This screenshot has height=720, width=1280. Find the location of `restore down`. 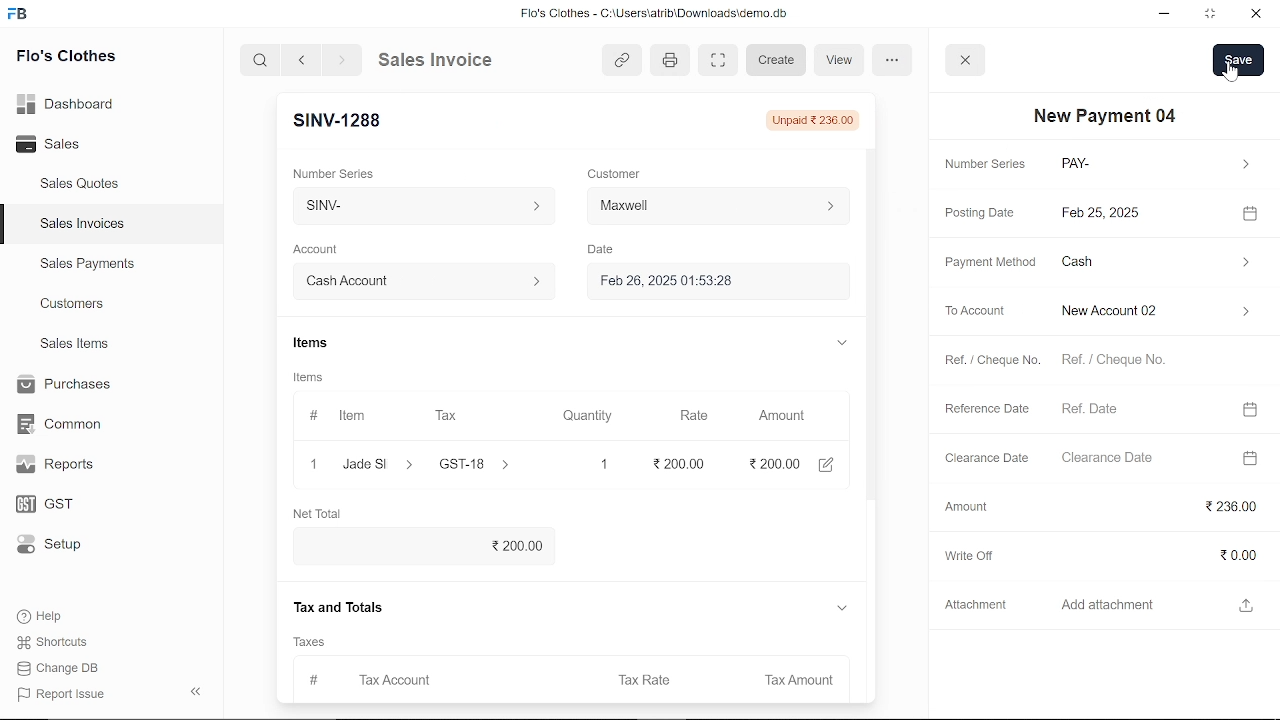

restore down is located at coordinates (1212, 15).